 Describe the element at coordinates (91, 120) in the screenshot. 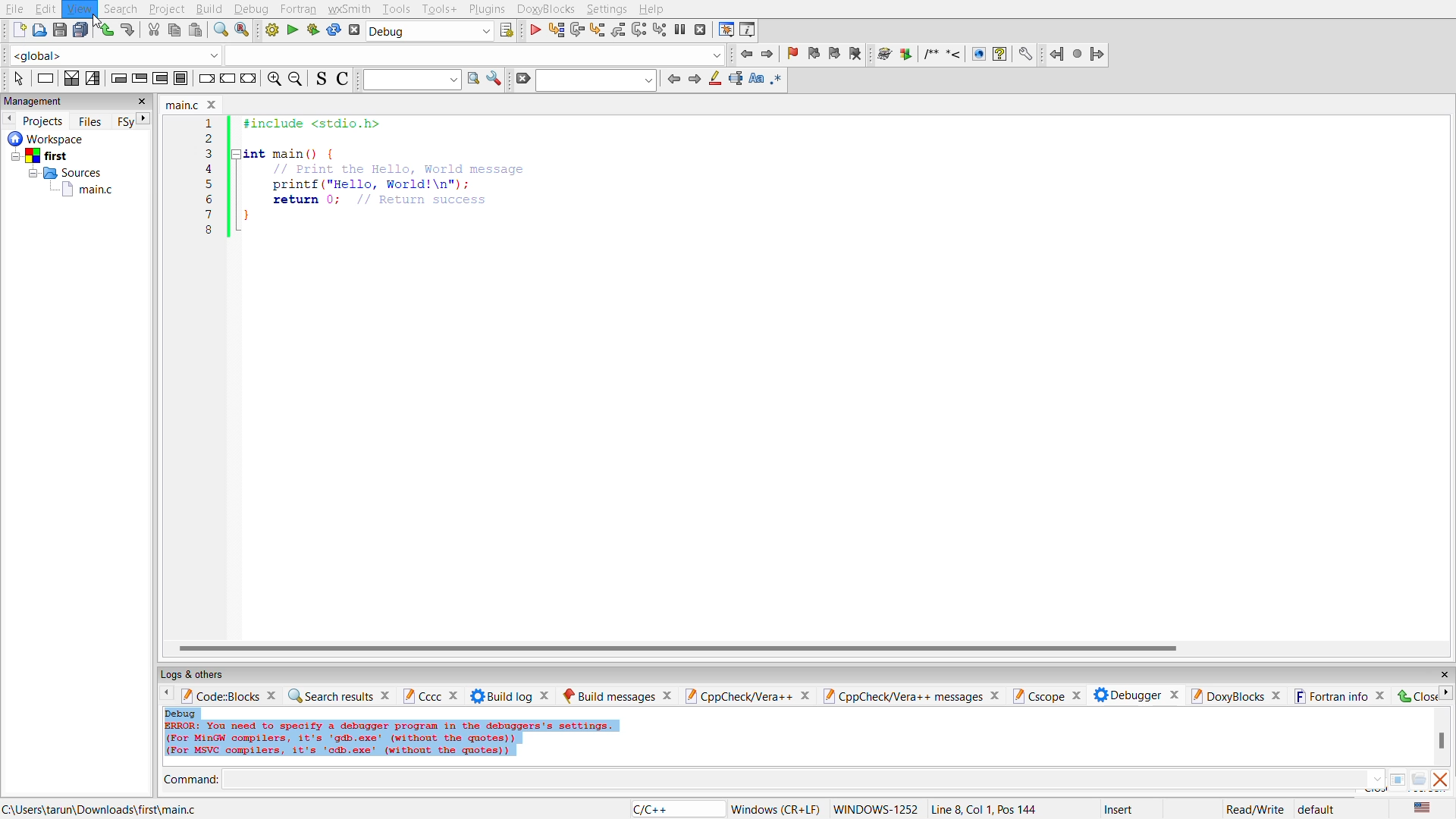

I see `files` at that location.